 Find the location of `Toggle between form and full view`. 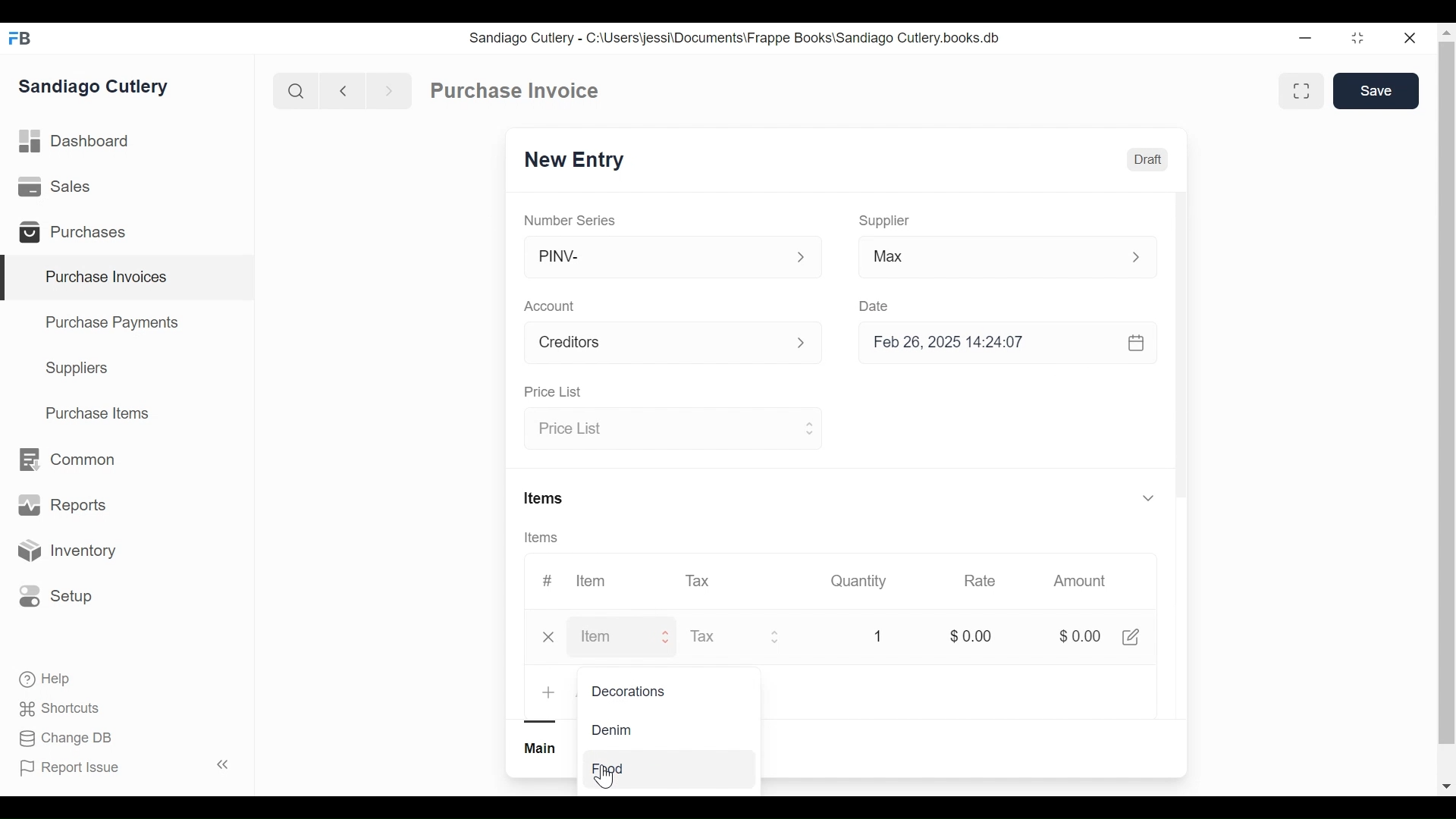

Toggle between form and full view is located at coordinates (1301, 91).